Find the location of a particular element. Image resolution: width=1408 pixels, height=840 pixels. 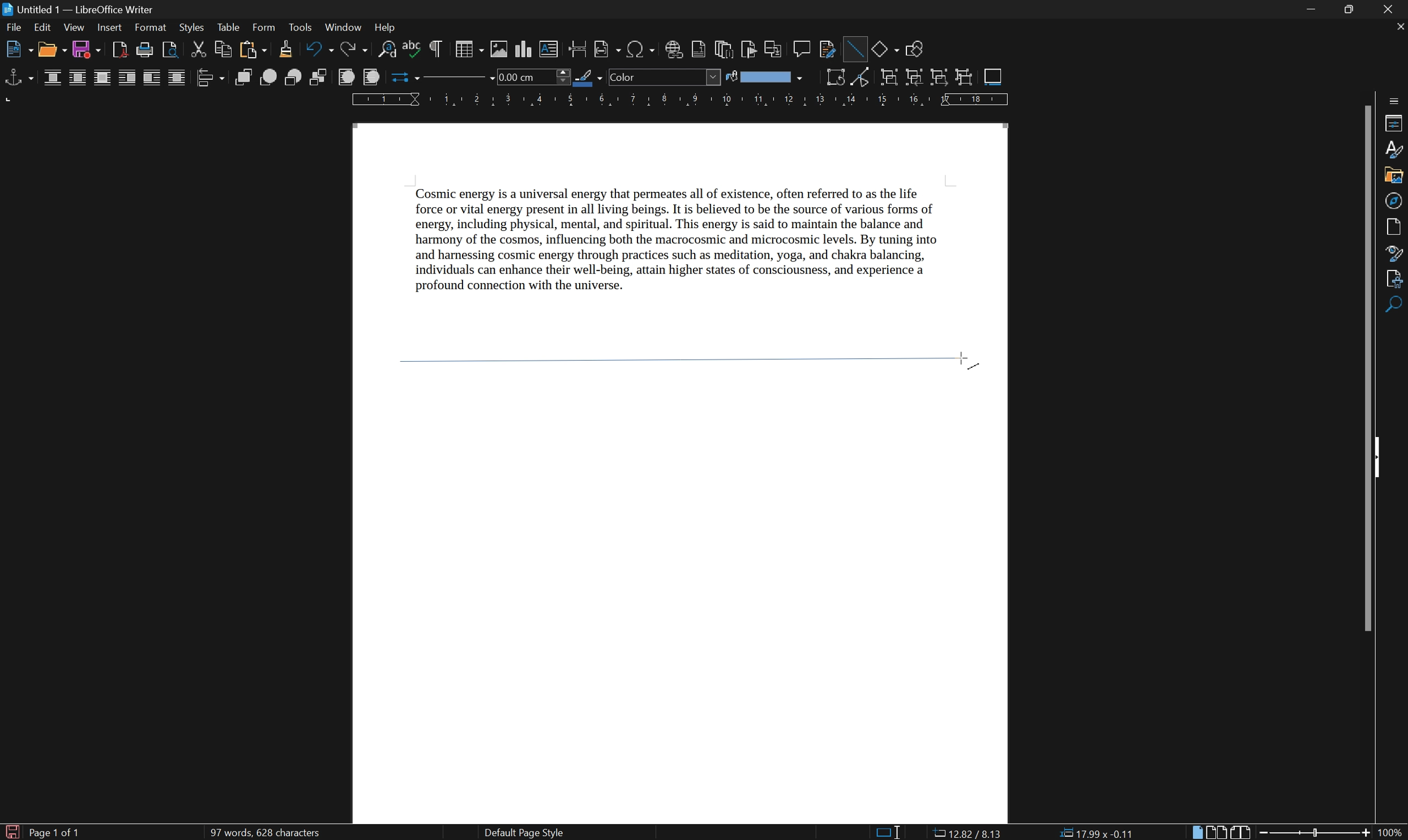

insert cross reference is located at coordinates (774, 49).